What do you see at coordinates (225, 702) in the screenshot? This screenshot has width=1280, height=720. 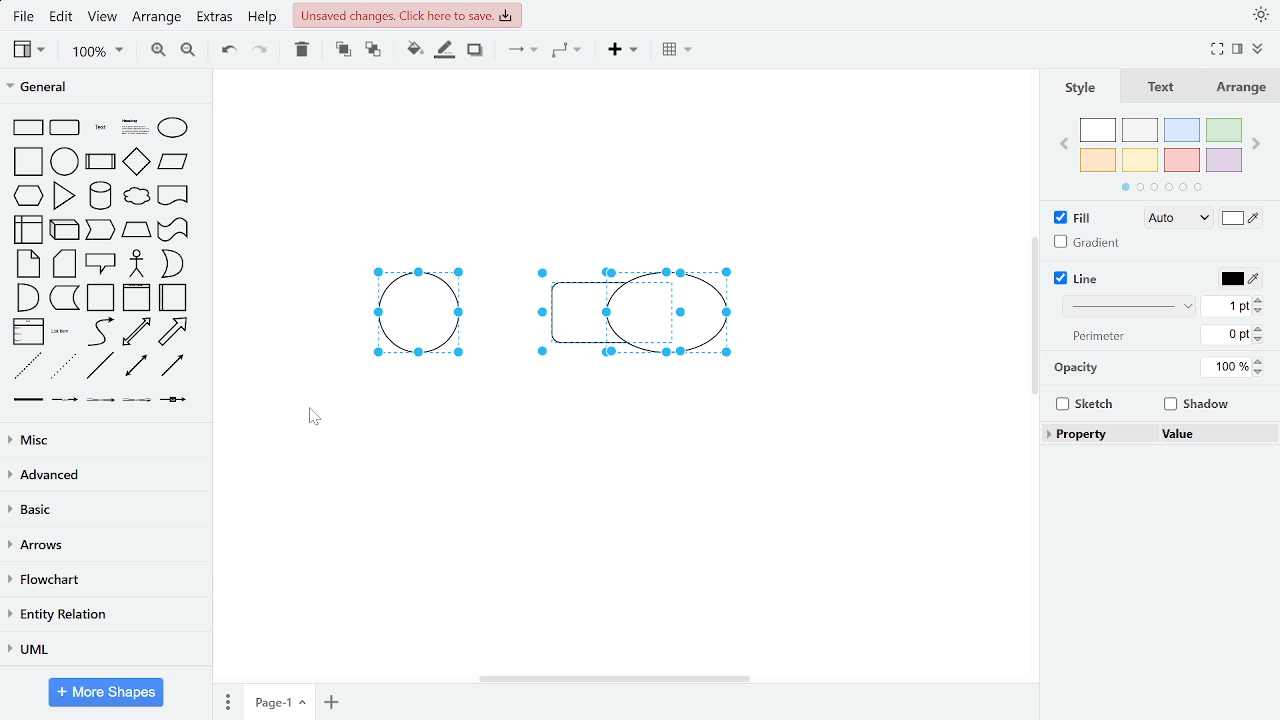 I see `pages` at bounding box center [225, 702].